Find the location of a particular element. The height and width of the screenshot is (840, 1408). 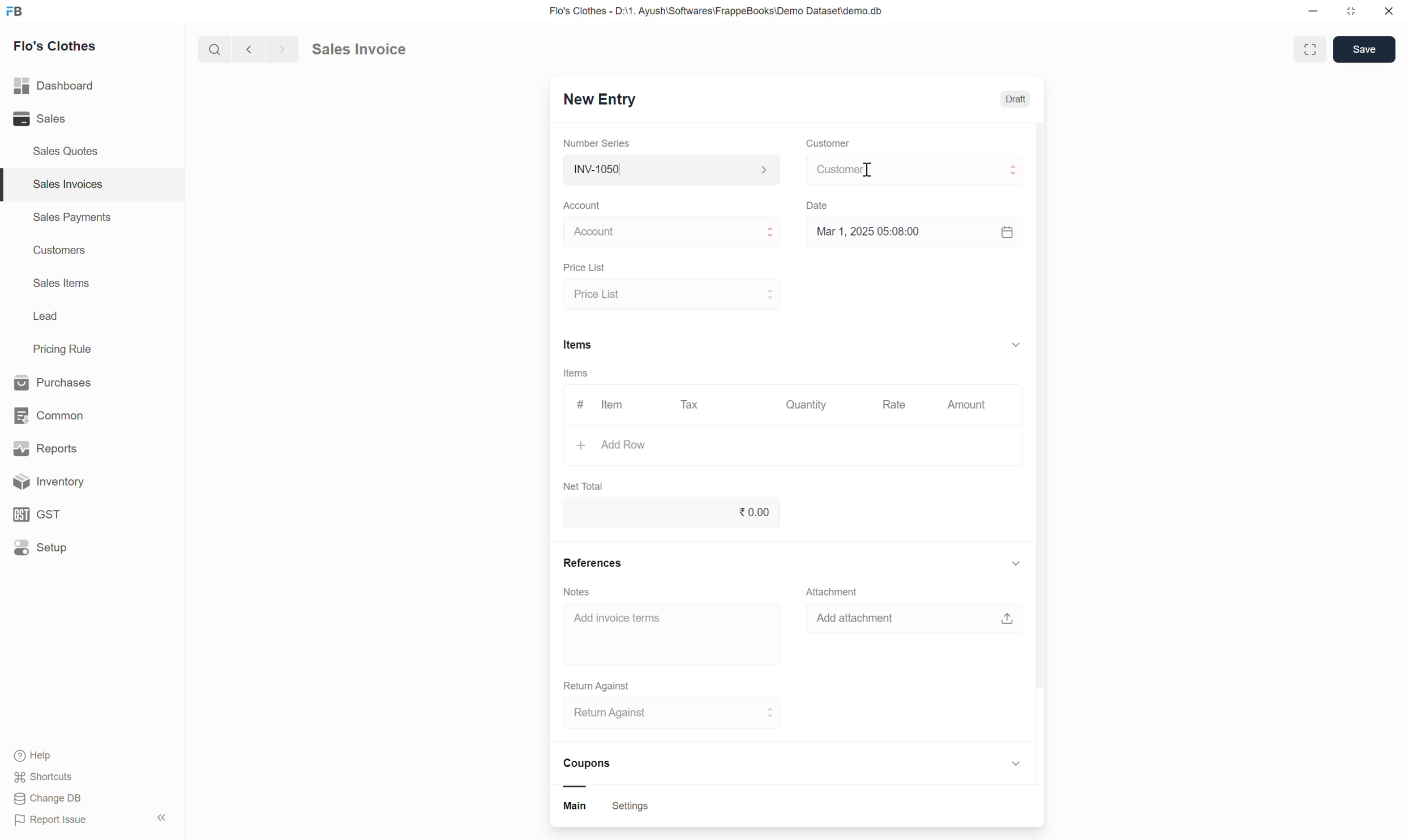

hide sidebar is located at coordinates (163, 818).